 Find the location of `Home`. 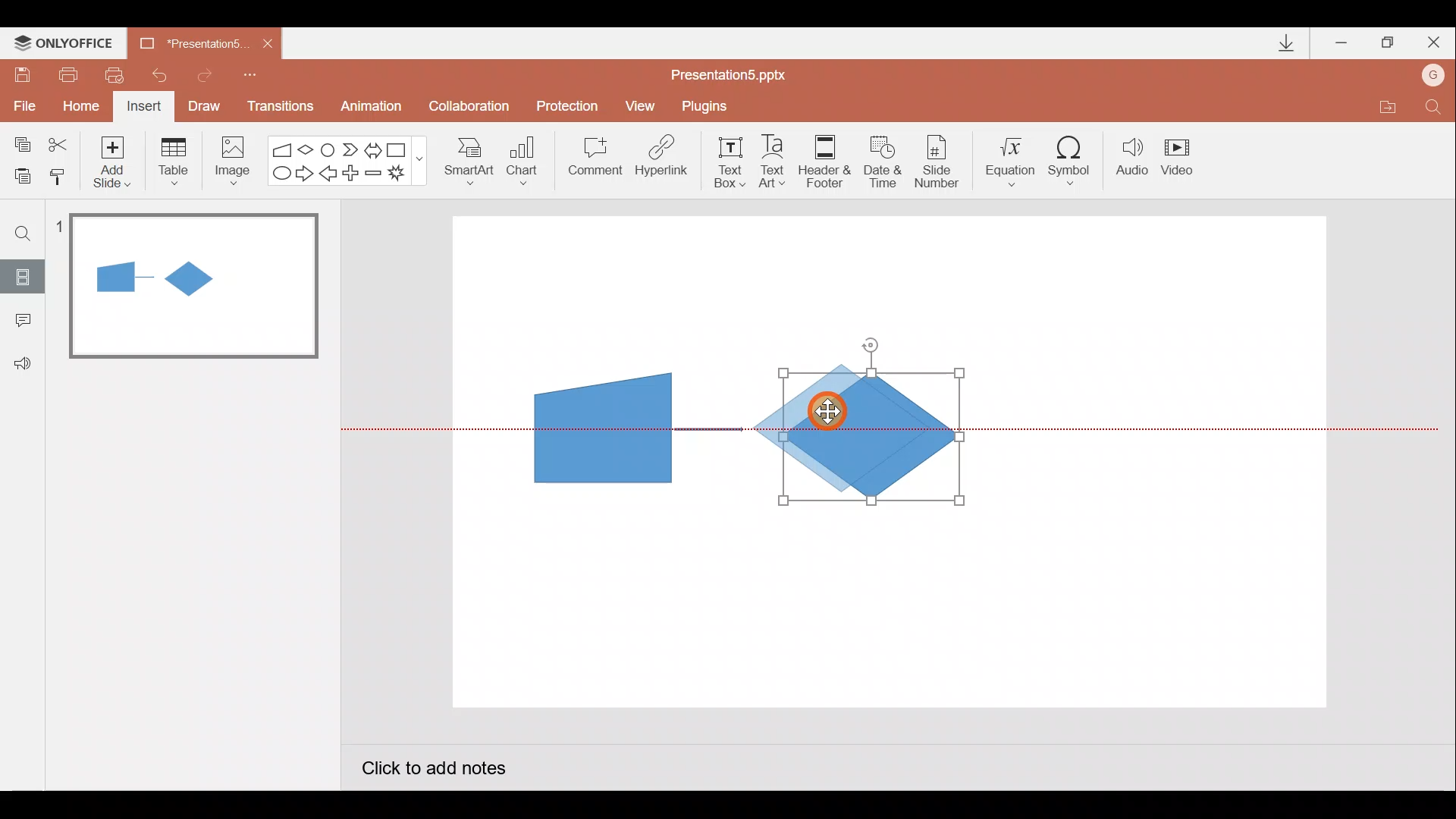

Home is located at coordinates (77, 102).